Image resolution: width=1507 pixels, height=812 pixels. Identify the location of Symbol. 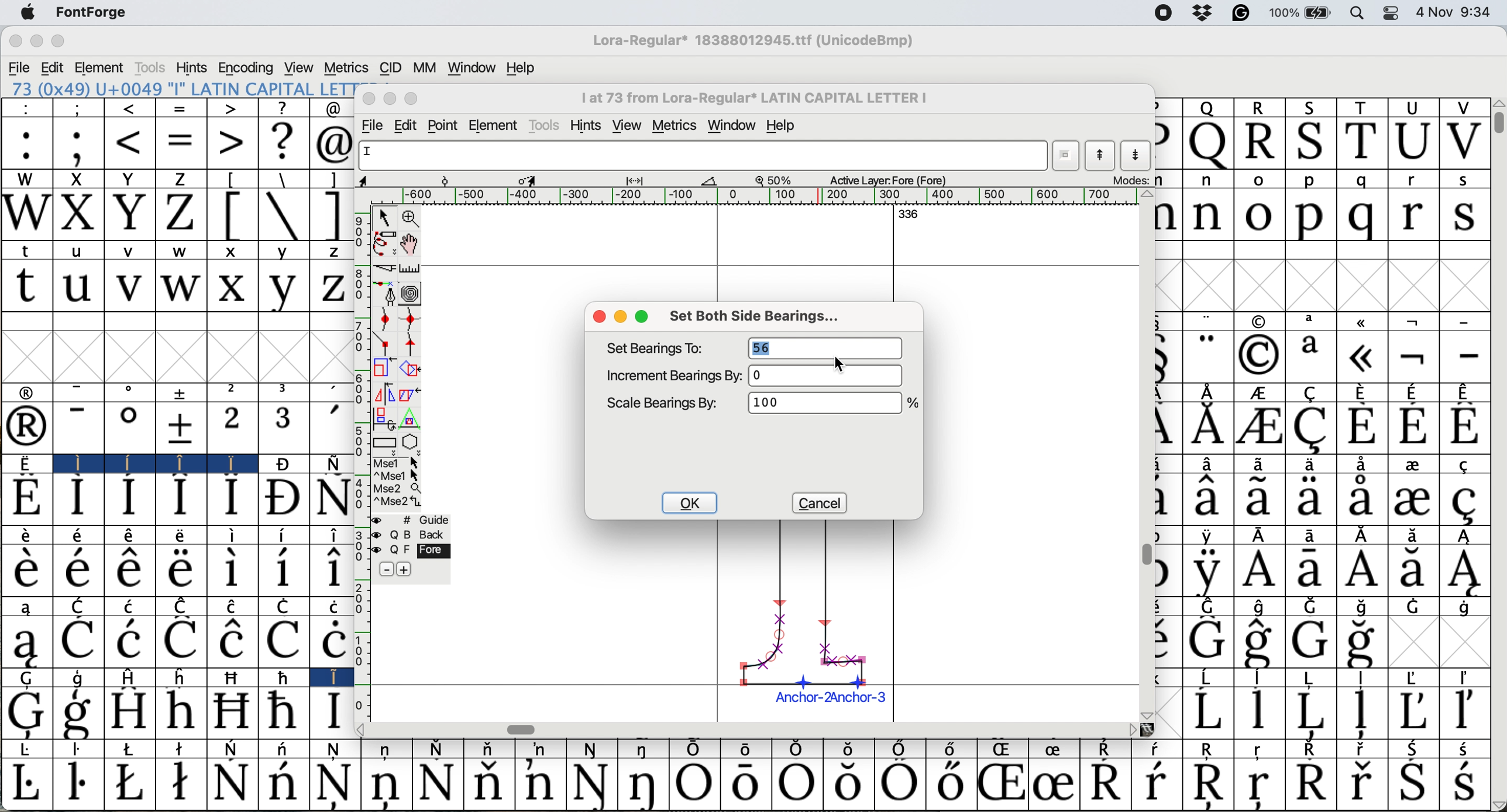
(1361, 572).